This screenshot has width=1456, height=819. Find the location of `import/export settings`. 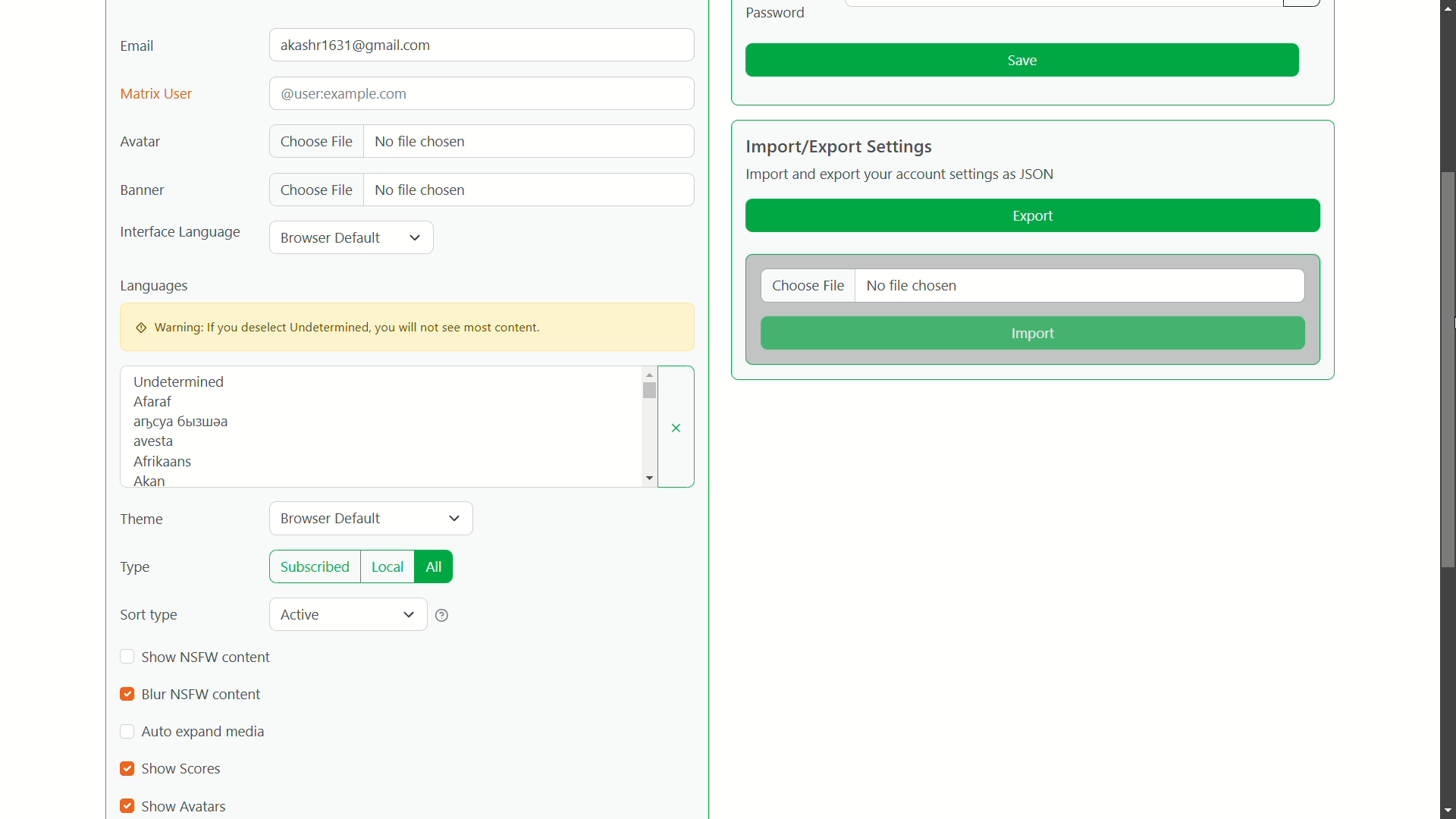

import/export settings is located at coordinates (839, 146).